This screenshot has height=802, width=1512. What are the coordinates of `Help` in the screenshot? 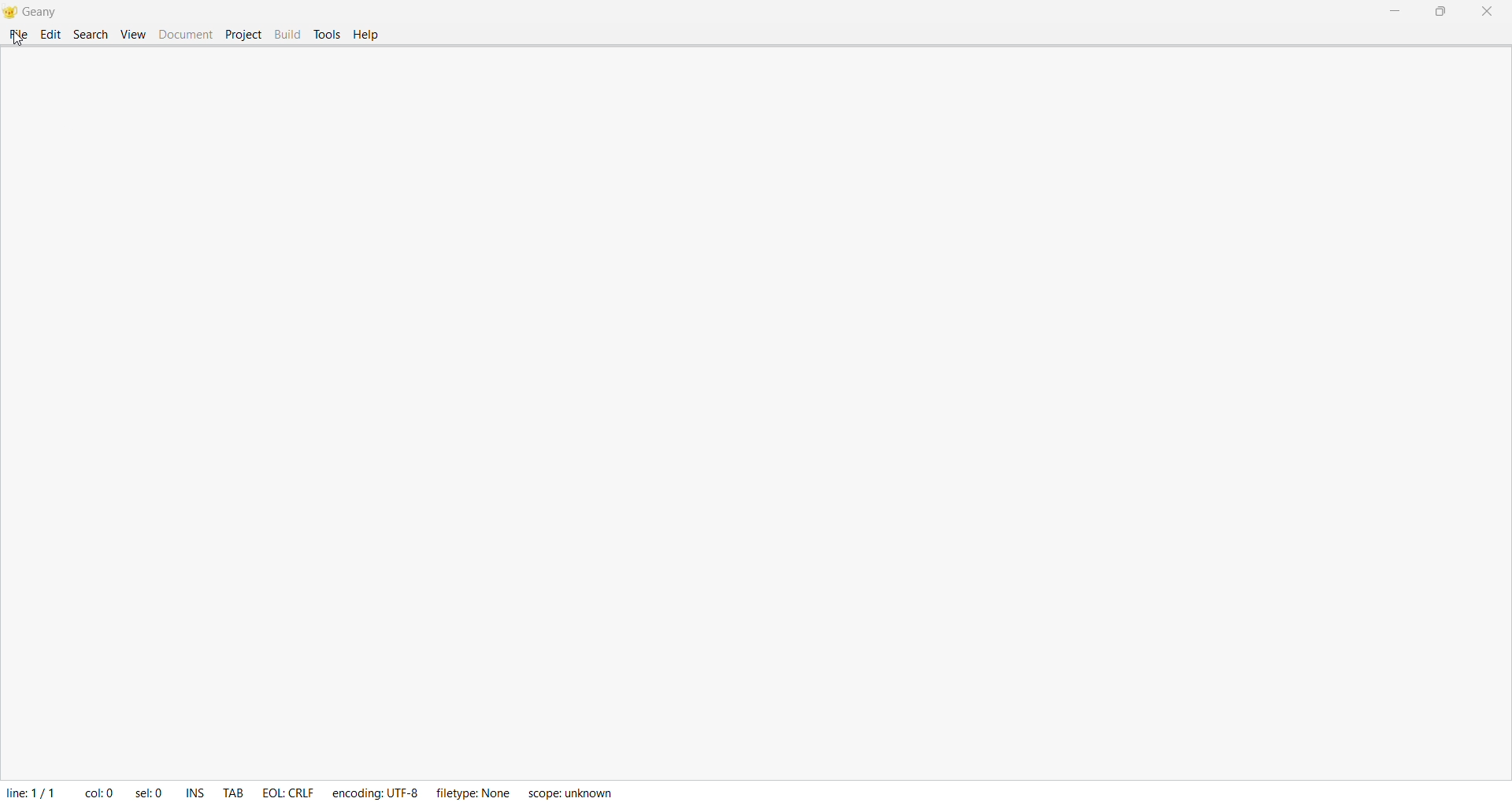 It's located at (368, 36).